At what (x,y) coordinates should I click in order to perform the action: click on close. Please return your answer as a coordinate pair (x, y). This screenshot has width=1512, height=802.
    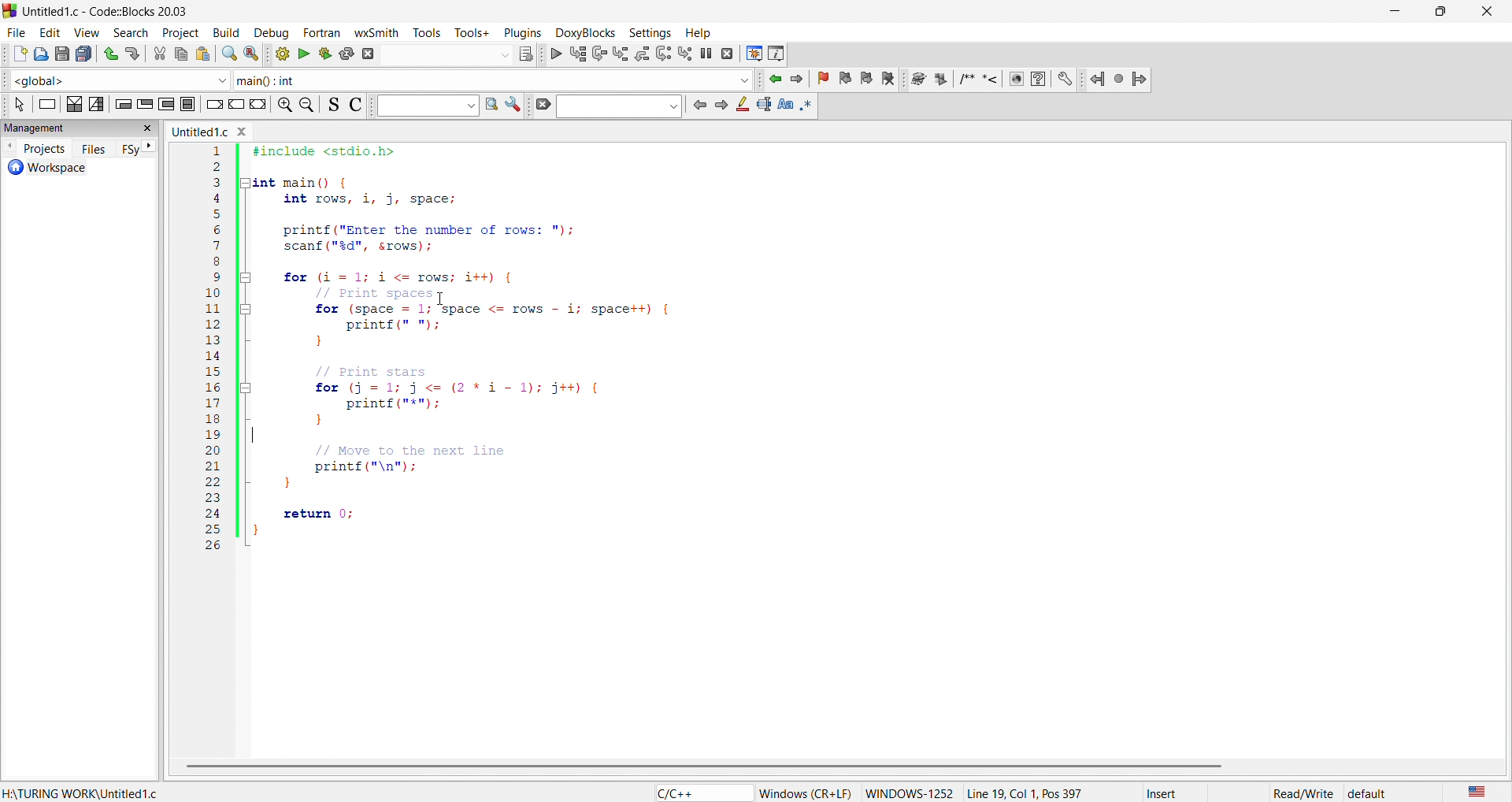
    Looking at the image, I should click on (1485, 12).